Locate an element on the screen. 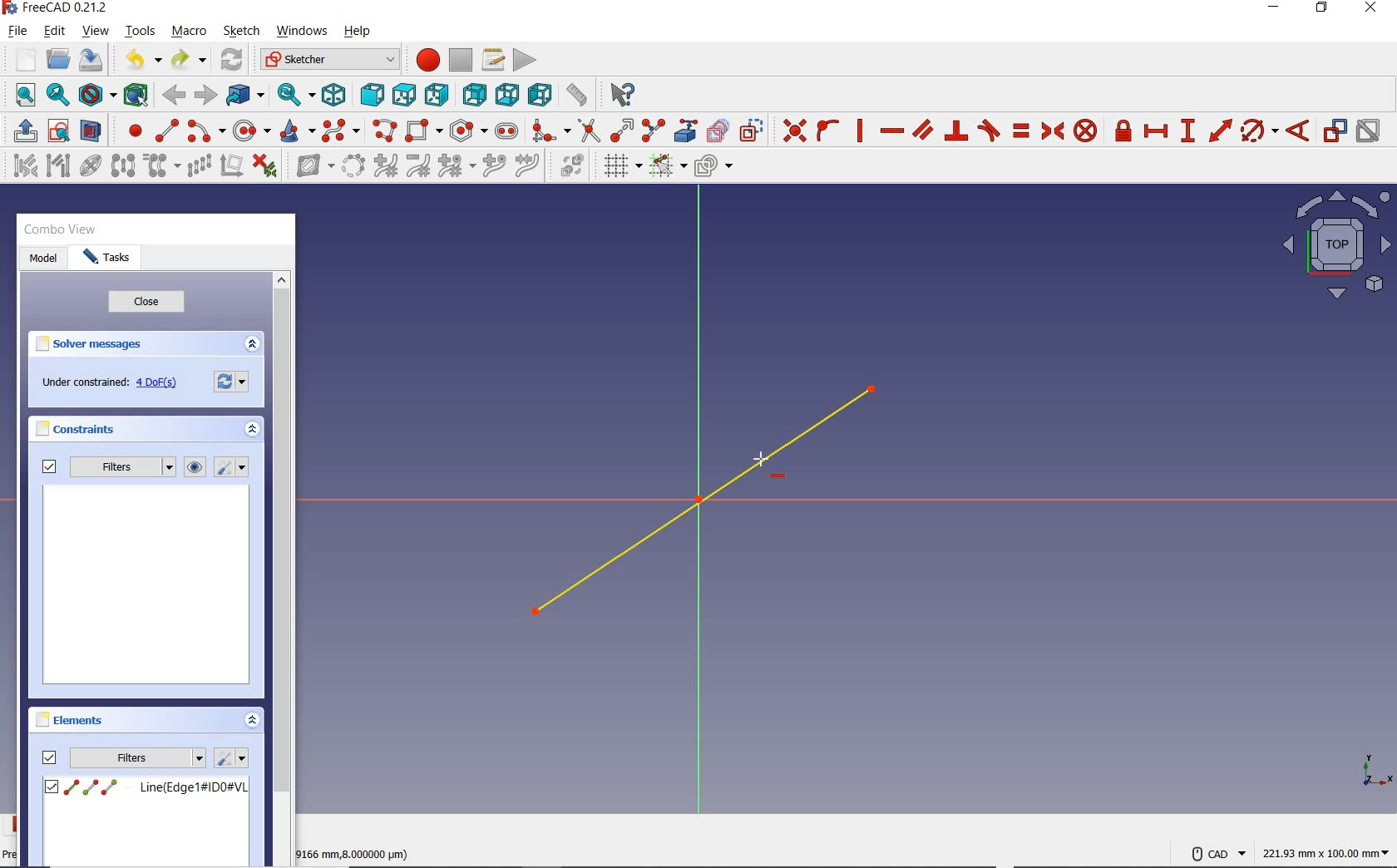 The width and height of the screenshot is (1397, 868). CREATE CARBON COPY is located at coordinates (718, 129).